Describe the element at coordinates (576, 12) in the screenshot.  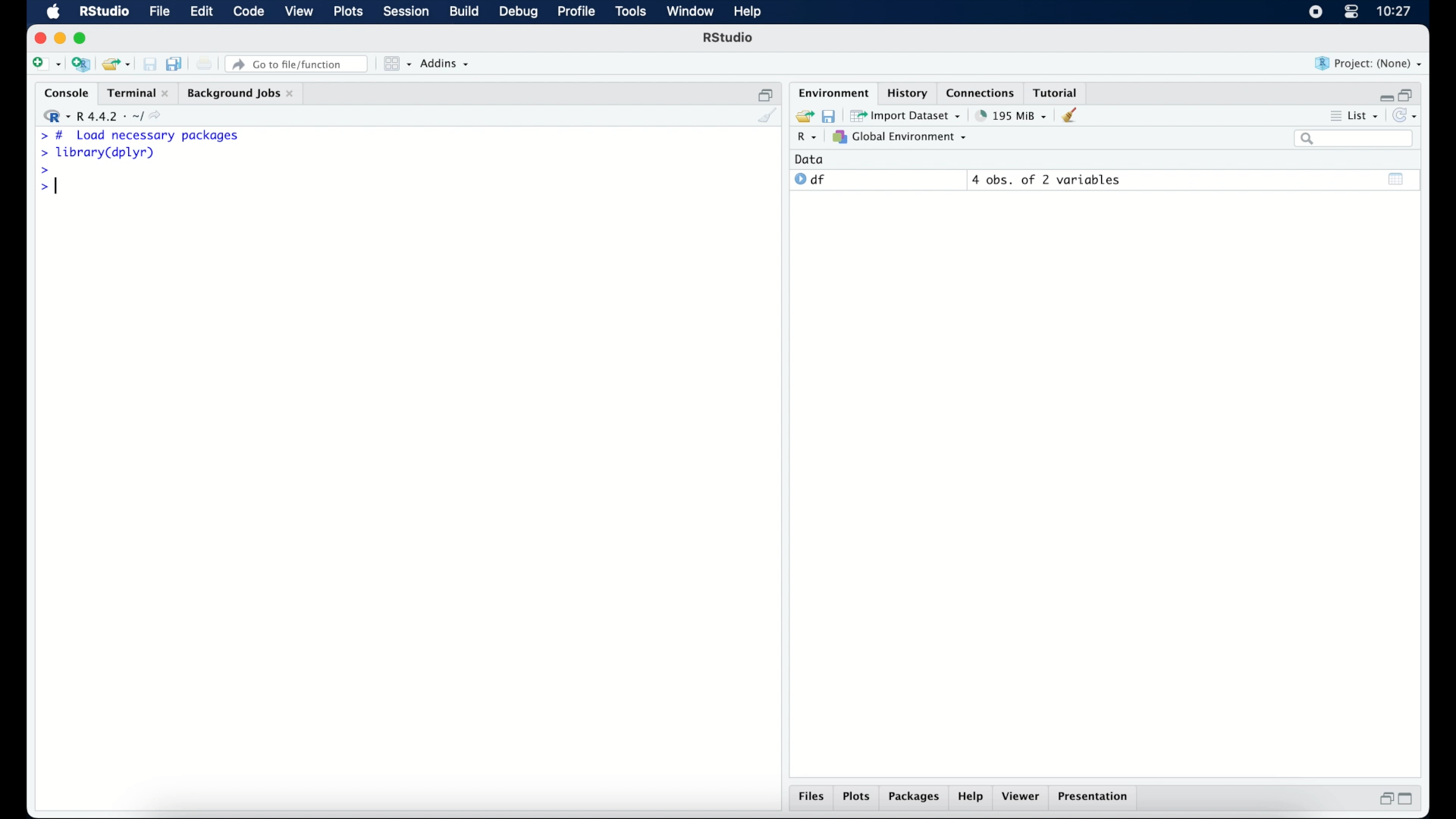
I see `profile` at that location.